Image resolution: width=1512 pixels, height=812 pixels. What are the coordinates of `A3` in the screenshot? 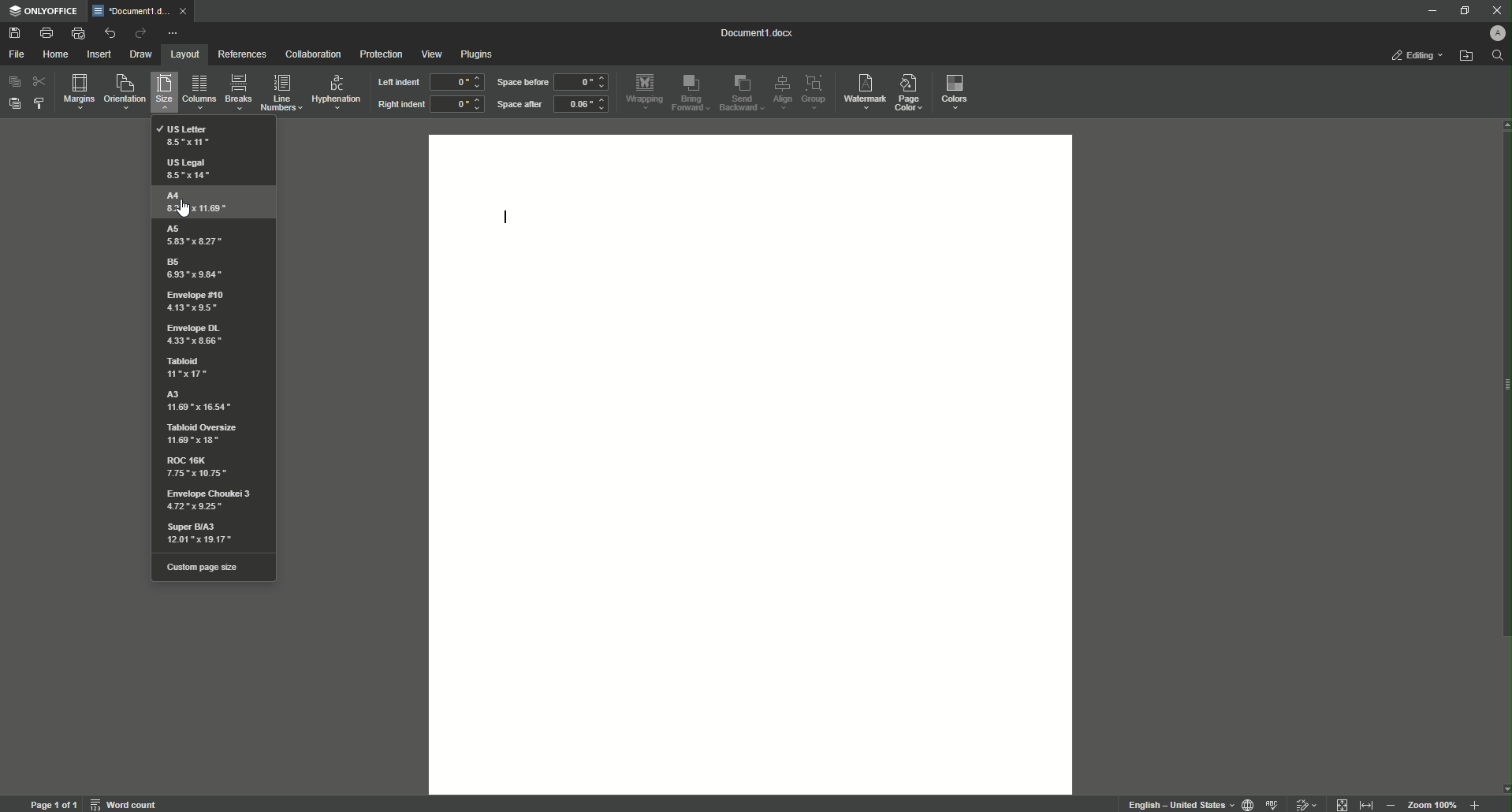 It's located at (197, 400).